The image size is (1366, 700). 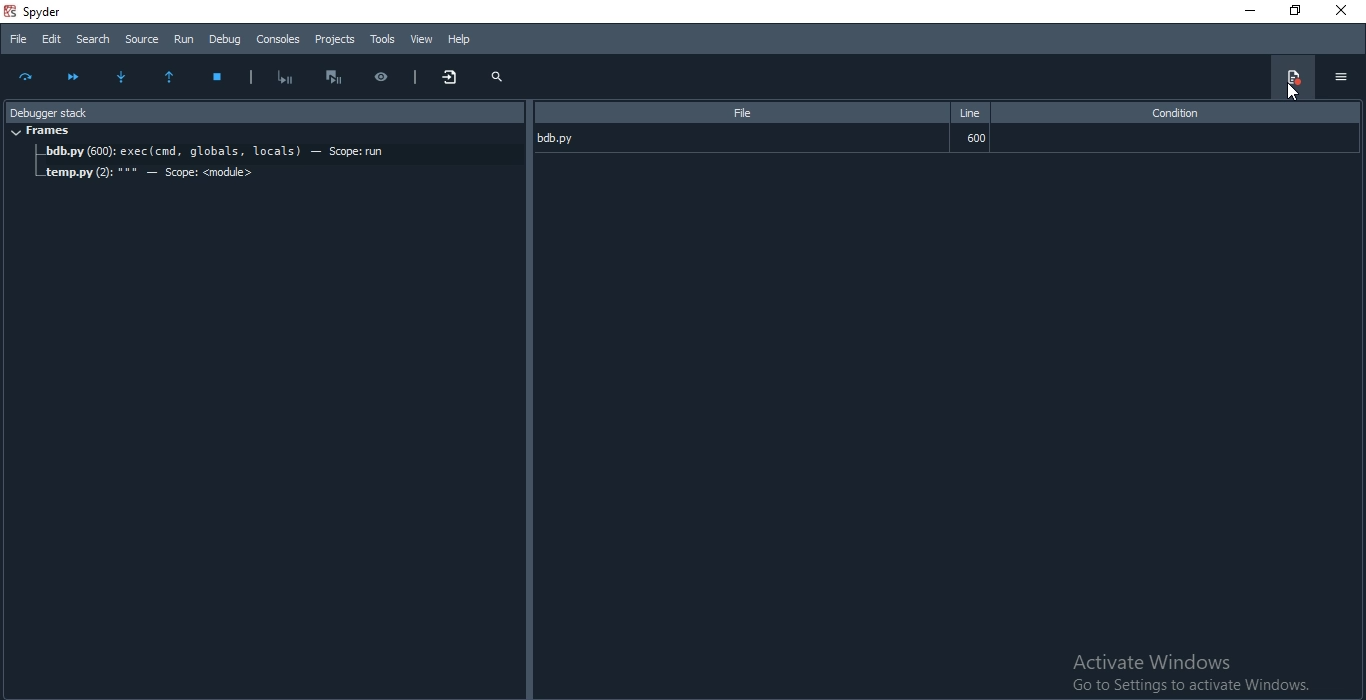 I want to click on Debug, so click(x=225, y=39).